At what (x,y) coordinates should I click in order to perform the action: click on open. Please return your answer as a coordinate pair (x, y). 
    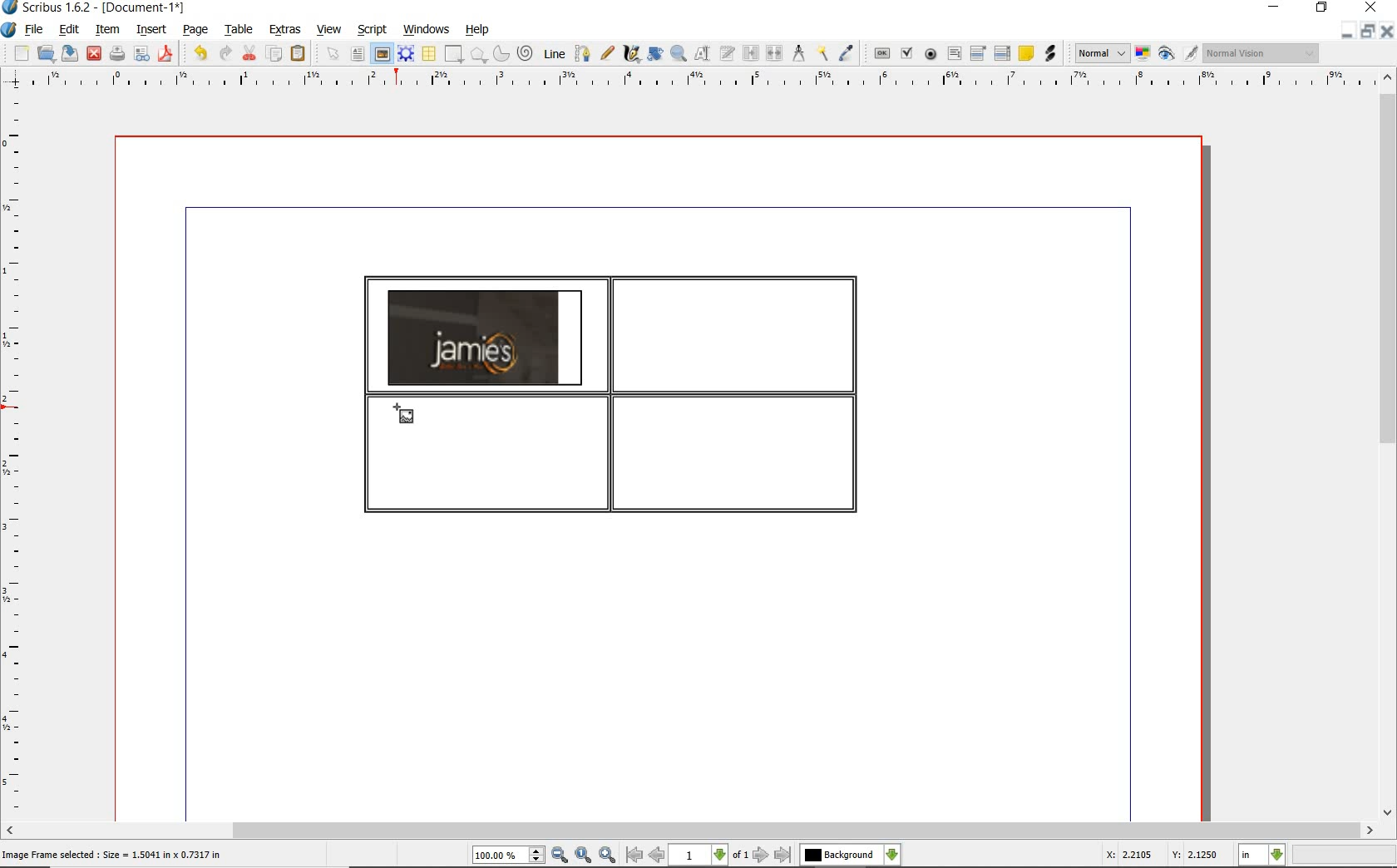
    Looking at the image, I should click on (47, 54).